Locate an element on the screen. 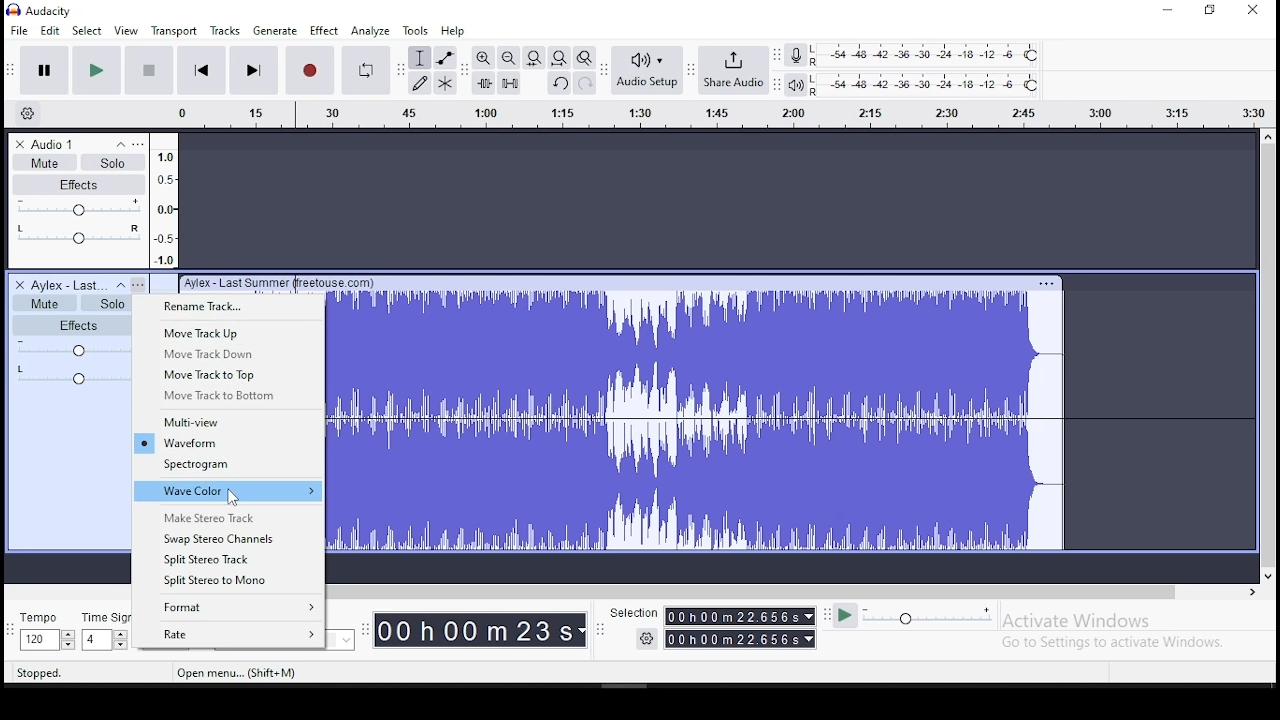 The image size is (1280, 720). effects is located at coordinates (70, 325).